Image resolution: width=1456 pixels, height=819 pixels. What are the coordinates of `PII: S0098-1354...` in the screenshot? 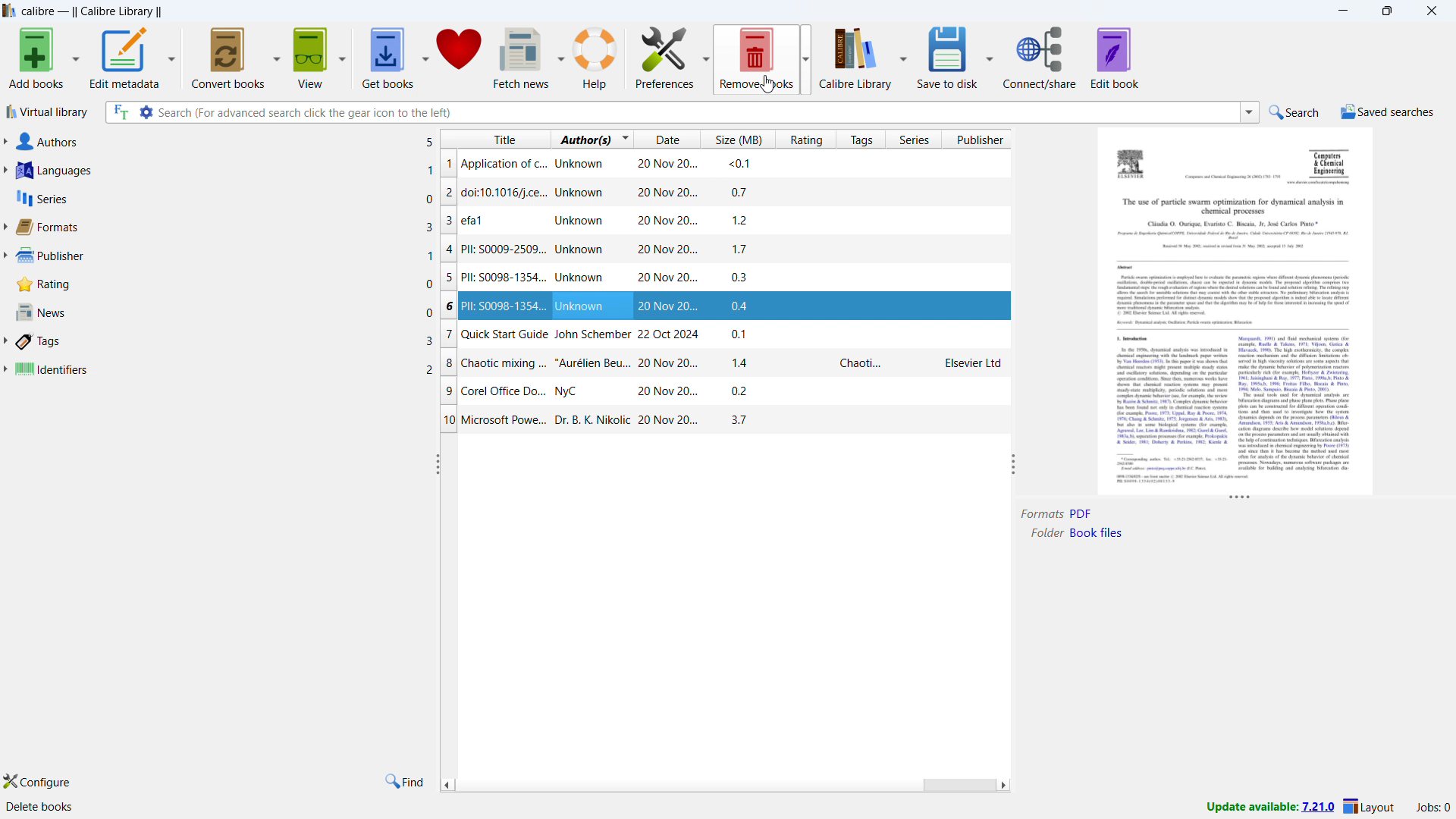 It's located at (730, 278).